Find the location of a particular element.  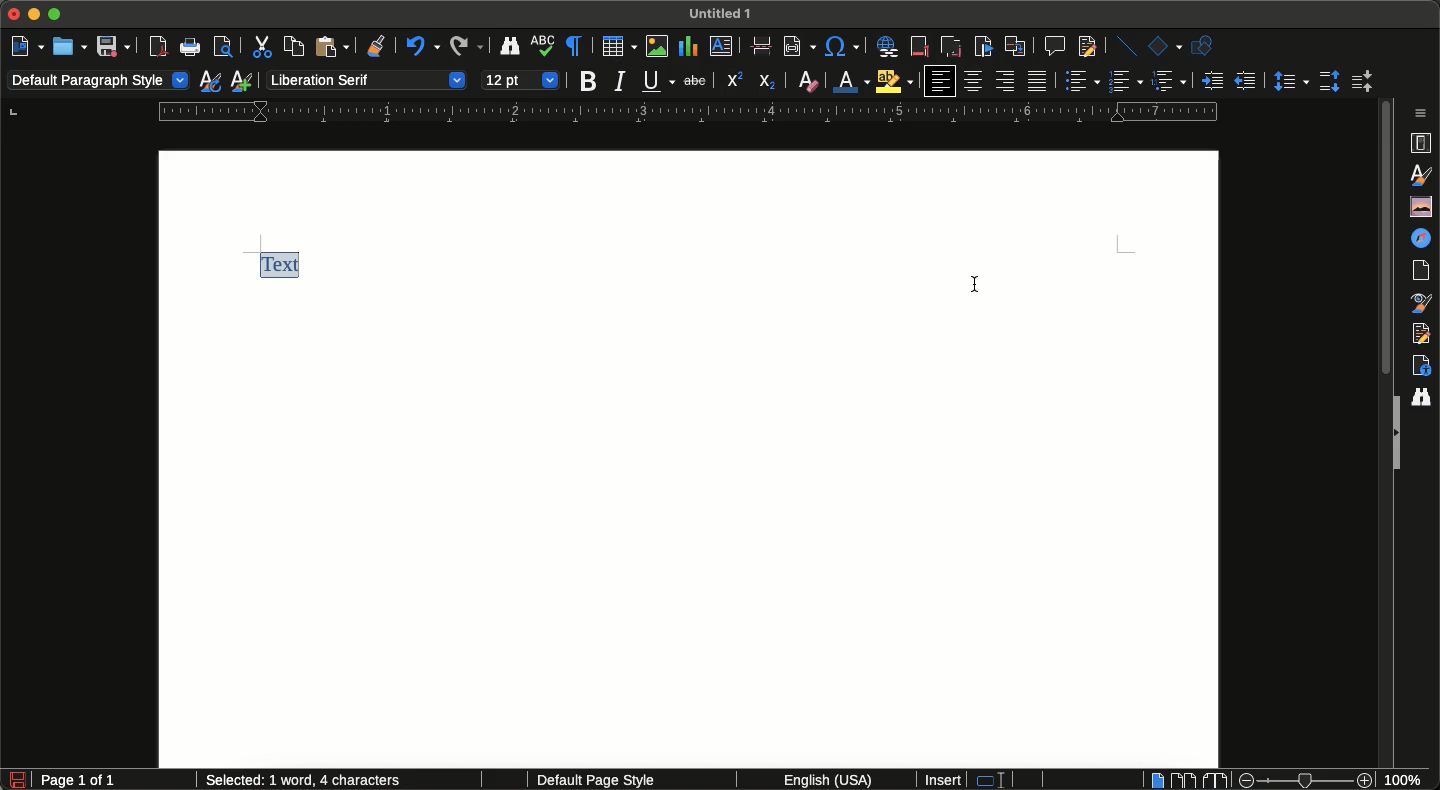

Redo is located at coordinates (466, 47).